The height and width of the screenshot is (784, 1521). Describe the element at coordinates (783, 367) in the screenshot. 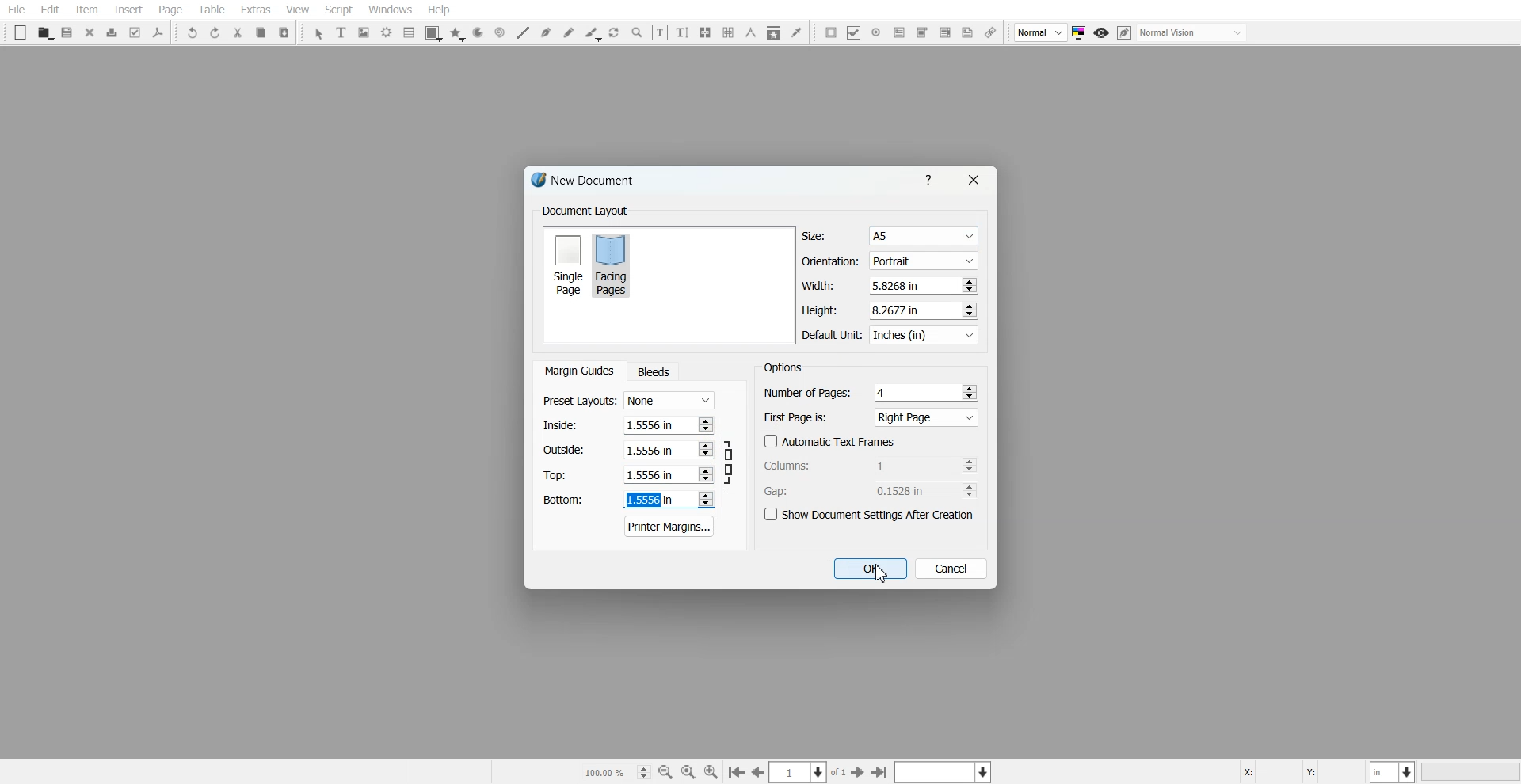

I see `Text` at that location.